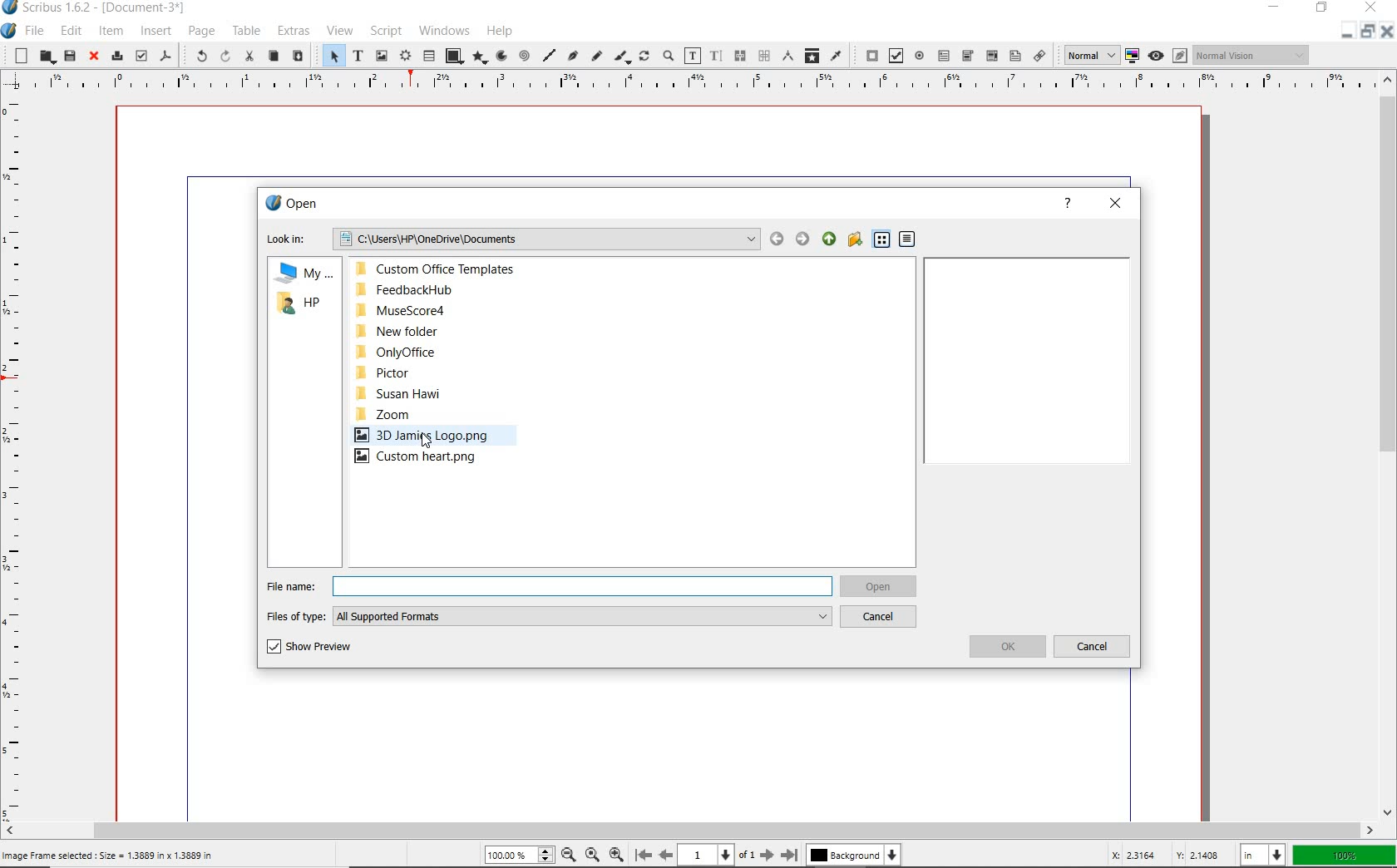 The width and height of the screenshot is (1397, 868). I want to click on FILE NAME, so click(549, 583).